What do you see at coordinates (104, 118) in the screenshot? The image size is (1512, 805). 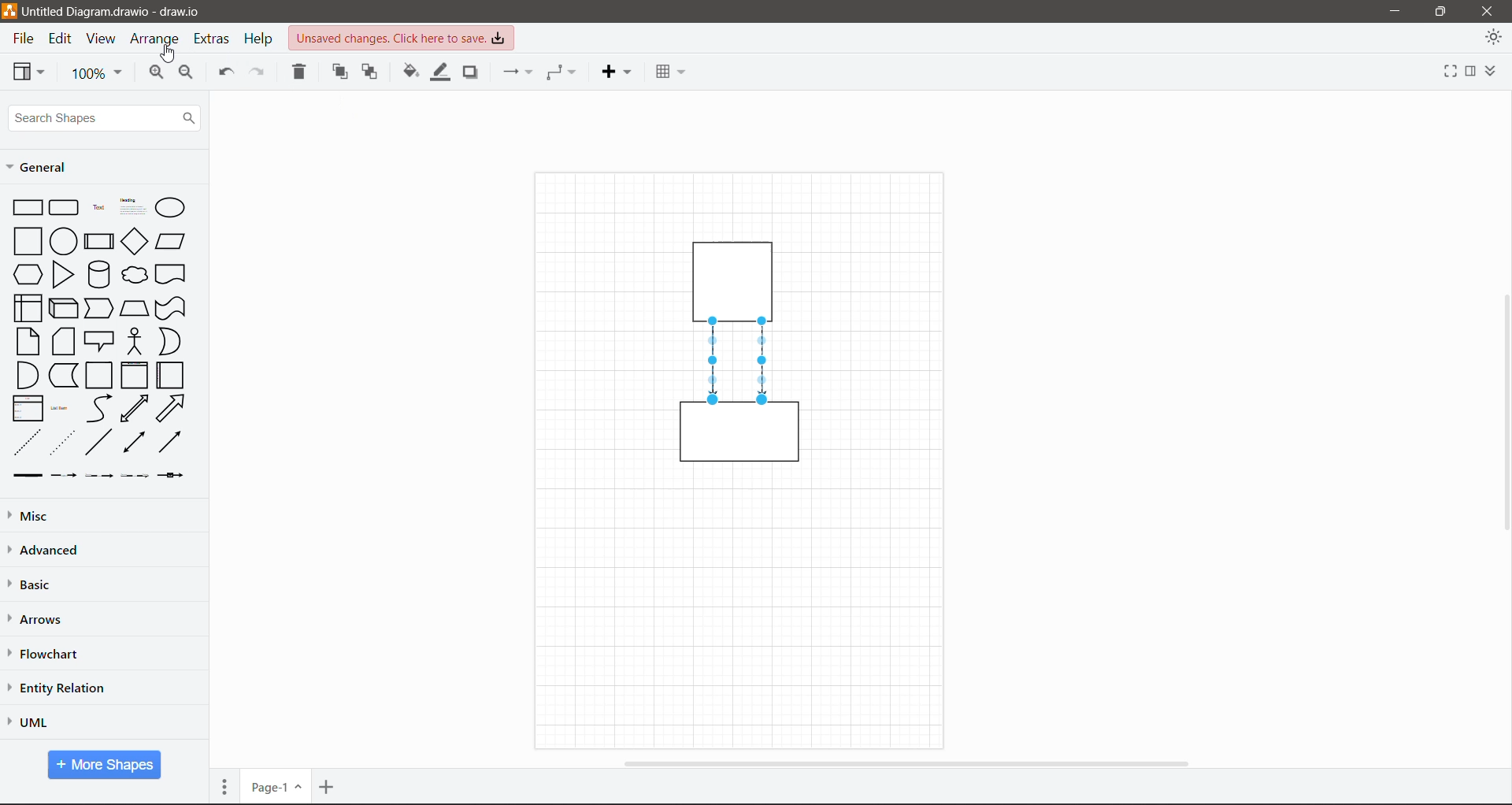 I see `Search Shapes` at bounding box center [104, 118].